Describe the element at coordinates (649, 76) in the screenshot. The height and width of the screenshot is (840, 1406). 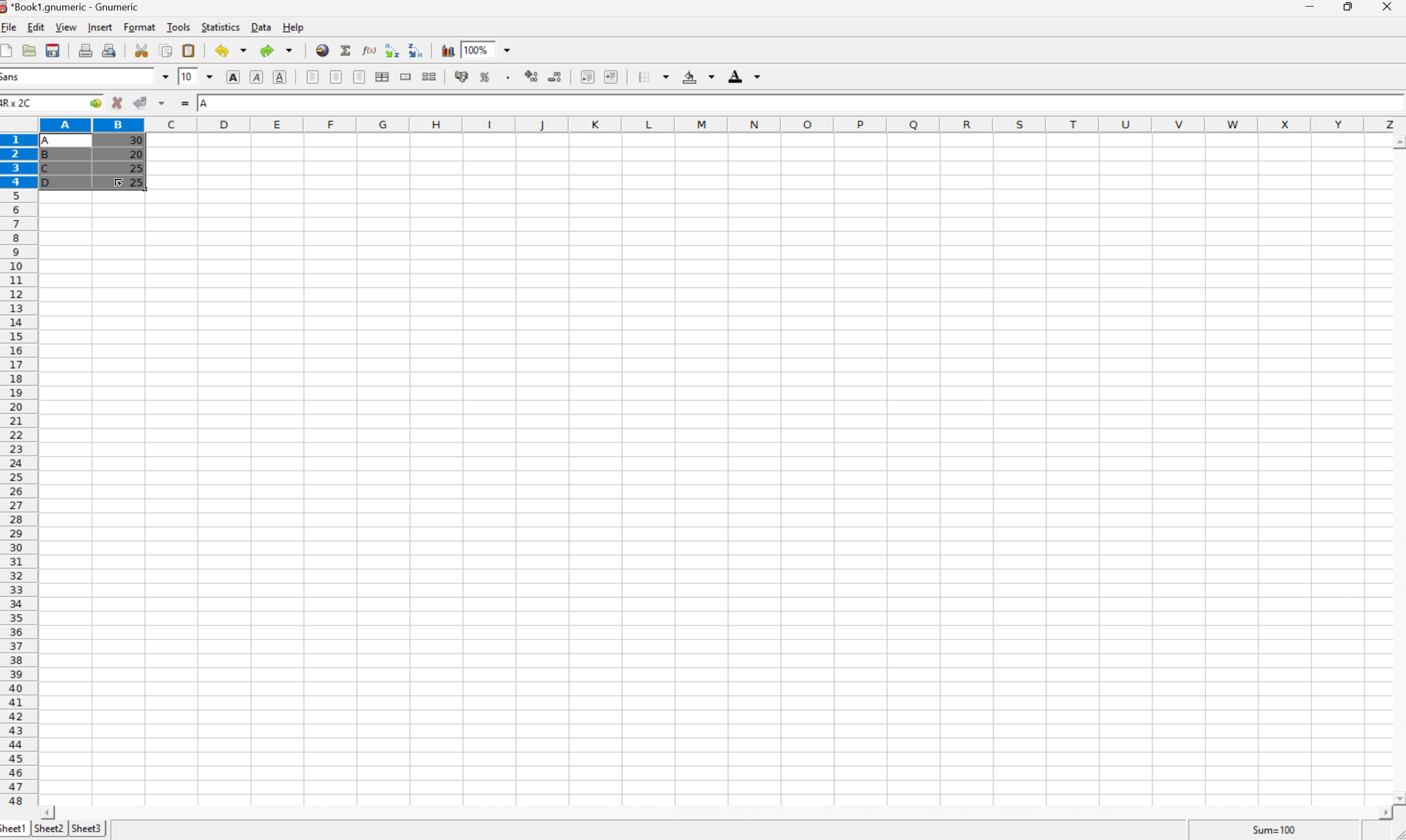
I see `Borders` at that location.